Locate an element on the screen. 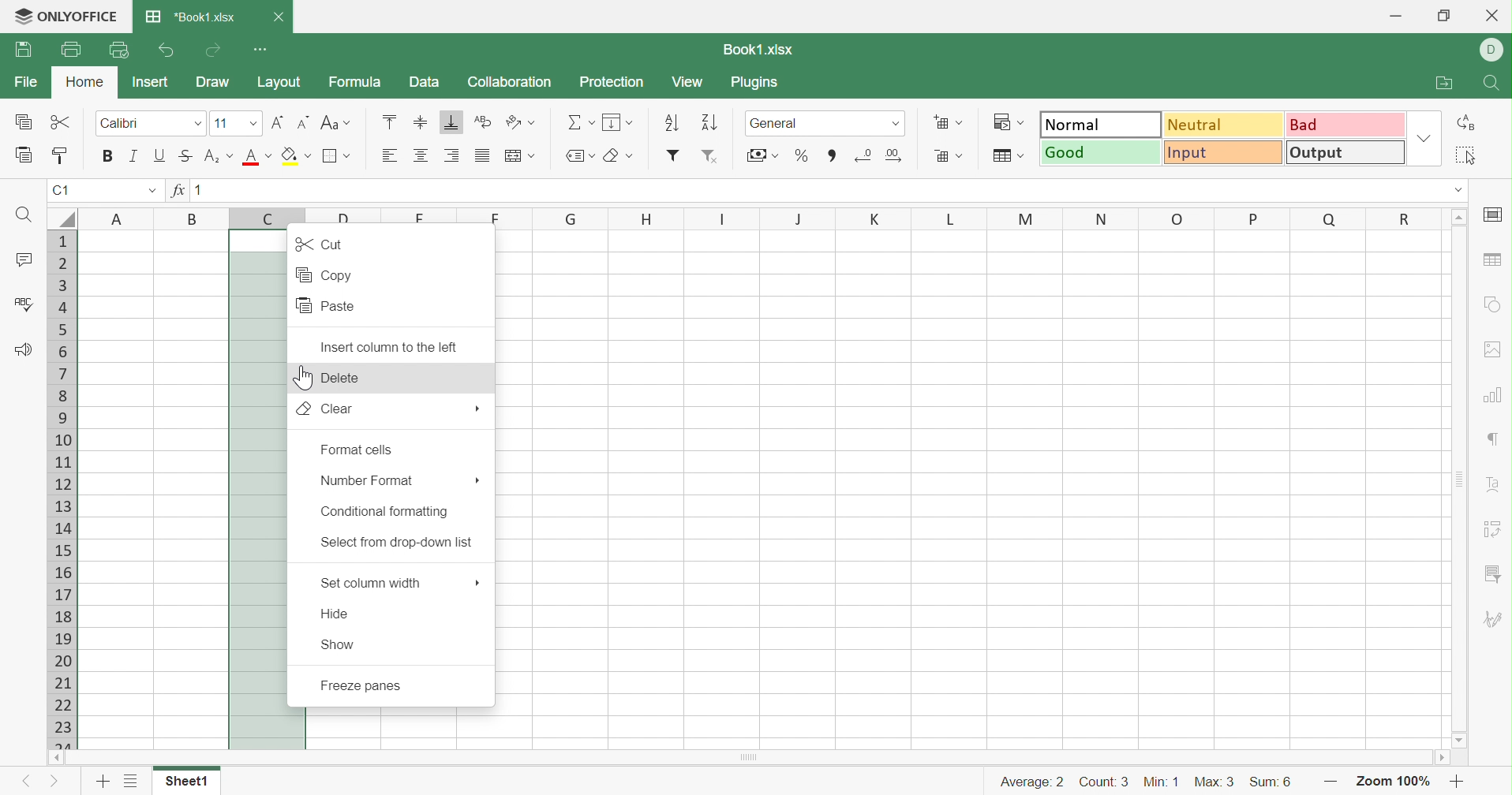  Insert filter is located at coordinates (672, 154).